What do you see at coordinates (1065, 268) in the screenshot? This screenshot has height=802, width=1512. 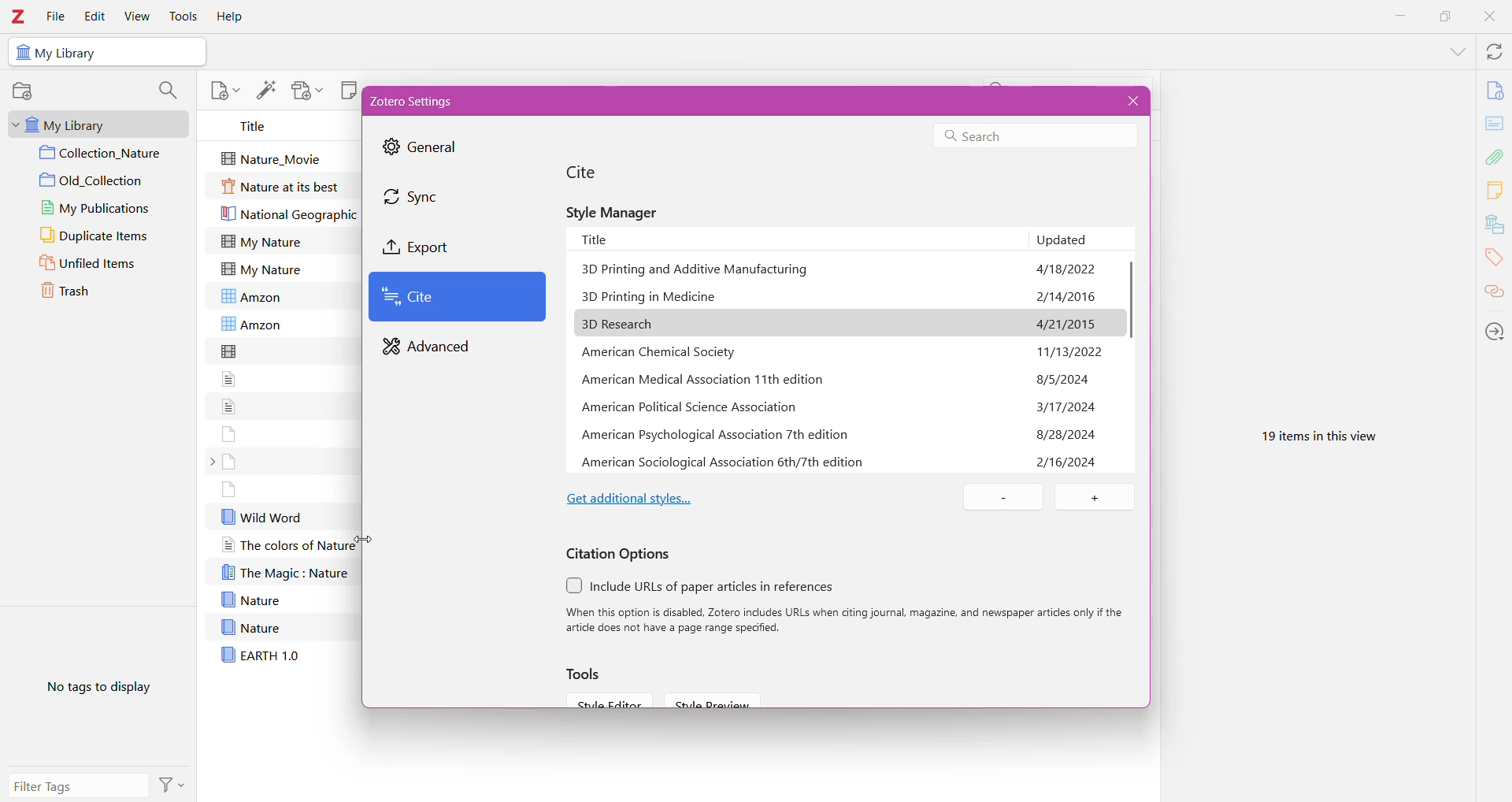 I see `4/18/2022` at bounding box center [1065, 268].